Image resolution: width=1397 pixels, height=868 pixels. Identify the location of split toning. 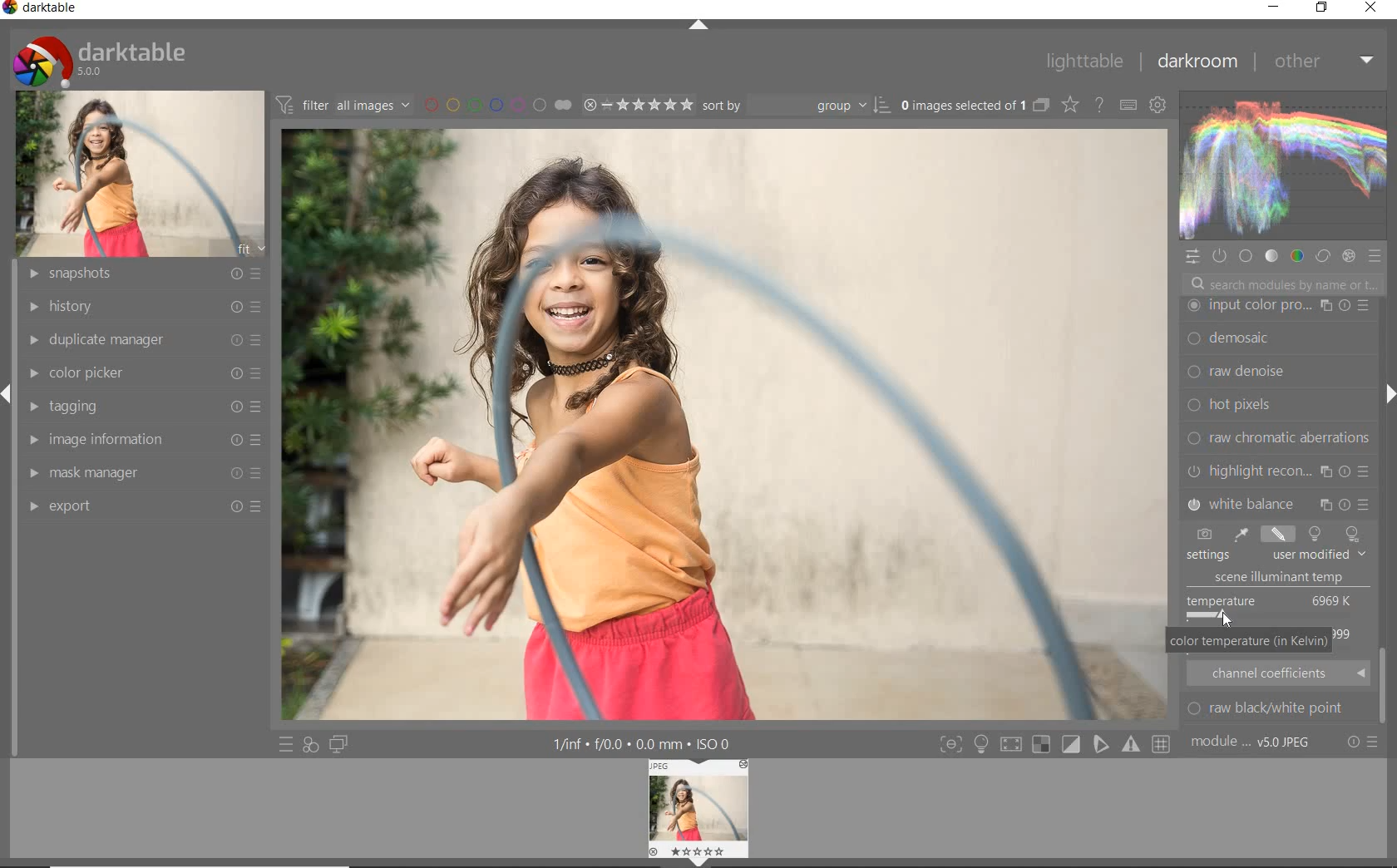
(1279, 502).